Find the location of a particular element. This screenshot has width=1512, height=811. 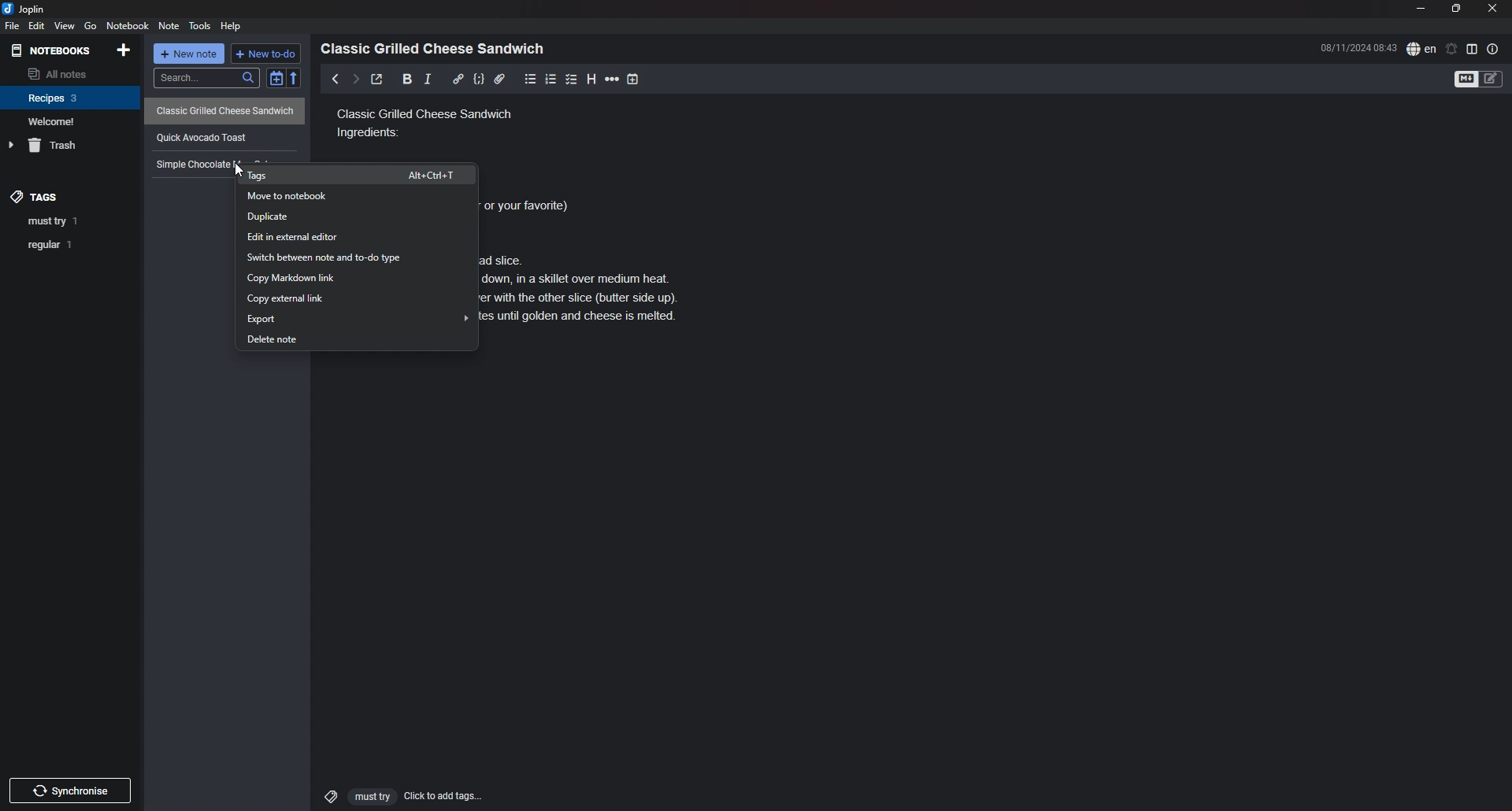

tags is located at coordinates (357, 175).